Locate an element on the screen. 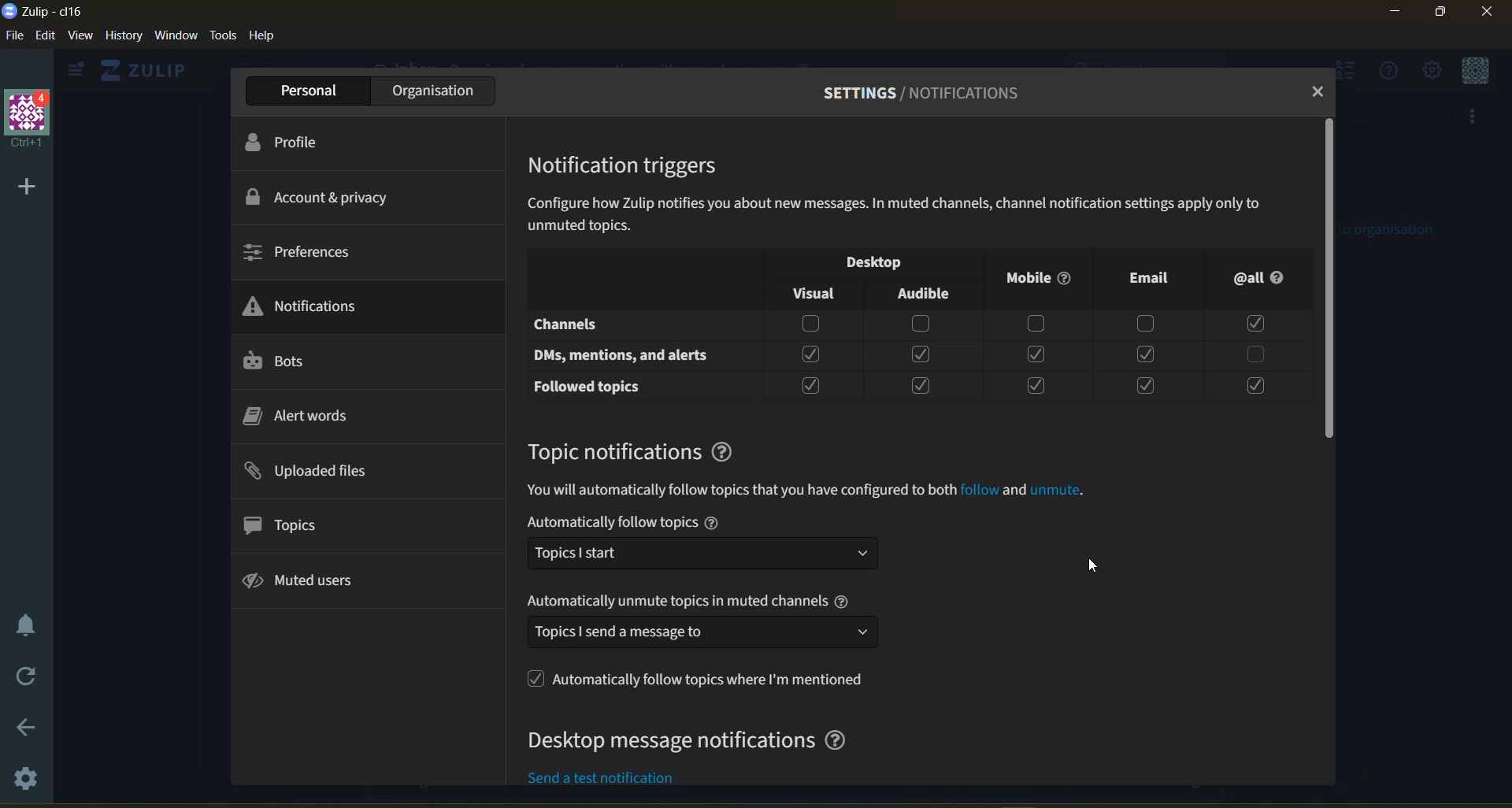  Visual is located at coordinates (812, 293).